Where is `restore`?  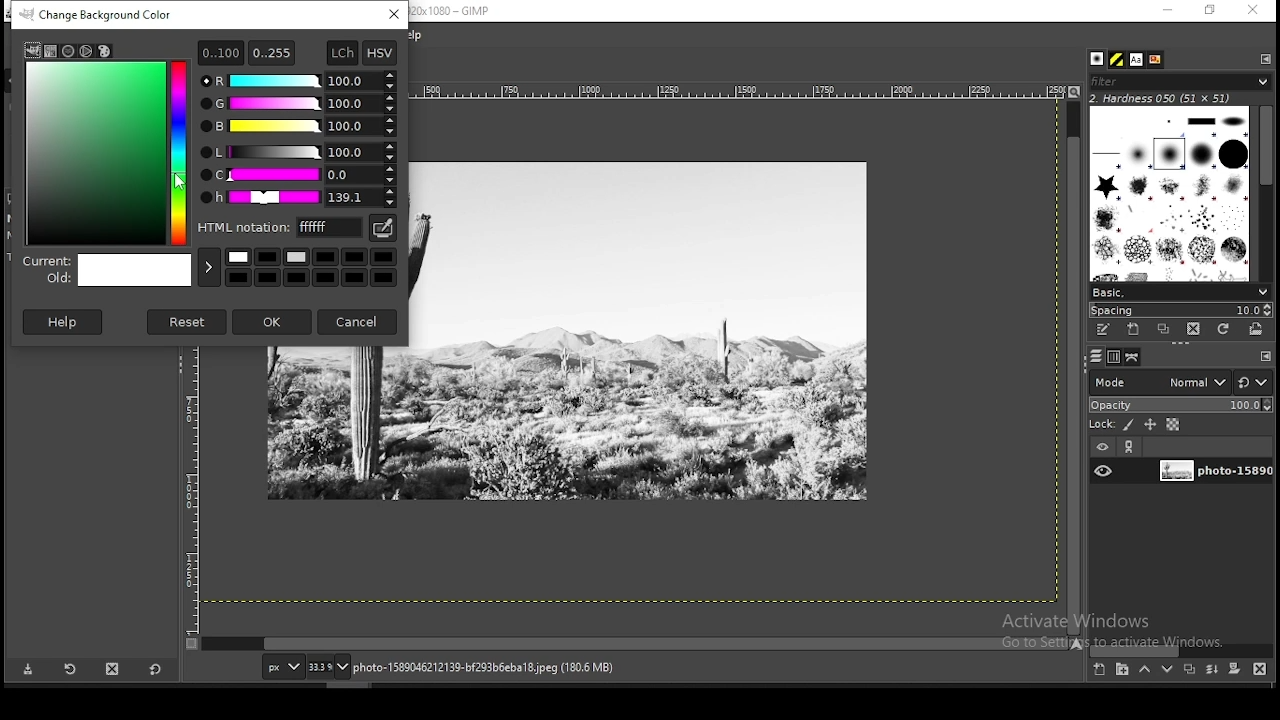
restore is located at coordinates (1211, 10).